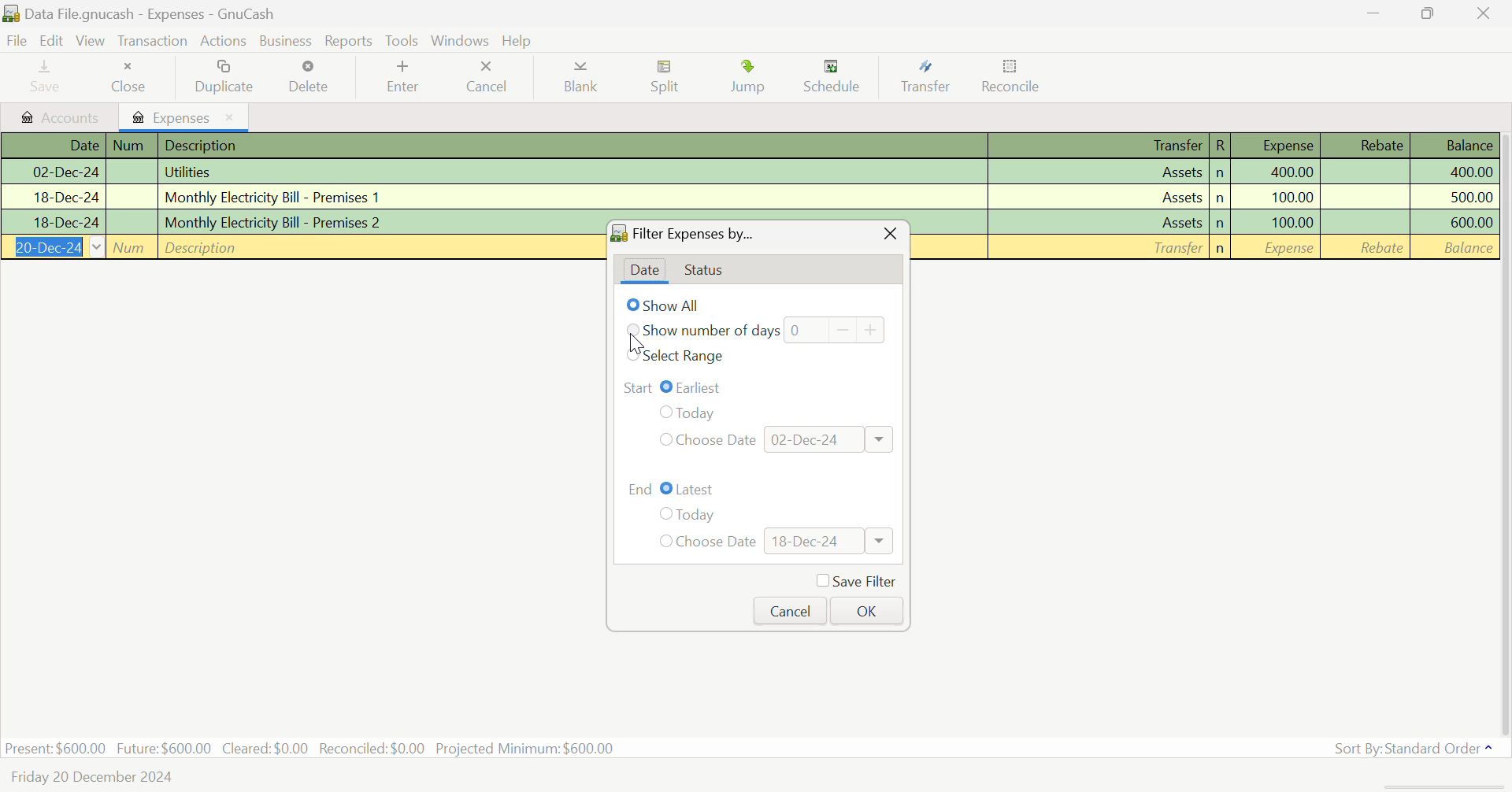  What do you see at coordinates (265, 749) in the screenshot?
I see `Cleared` at bounding box center [265, 749].